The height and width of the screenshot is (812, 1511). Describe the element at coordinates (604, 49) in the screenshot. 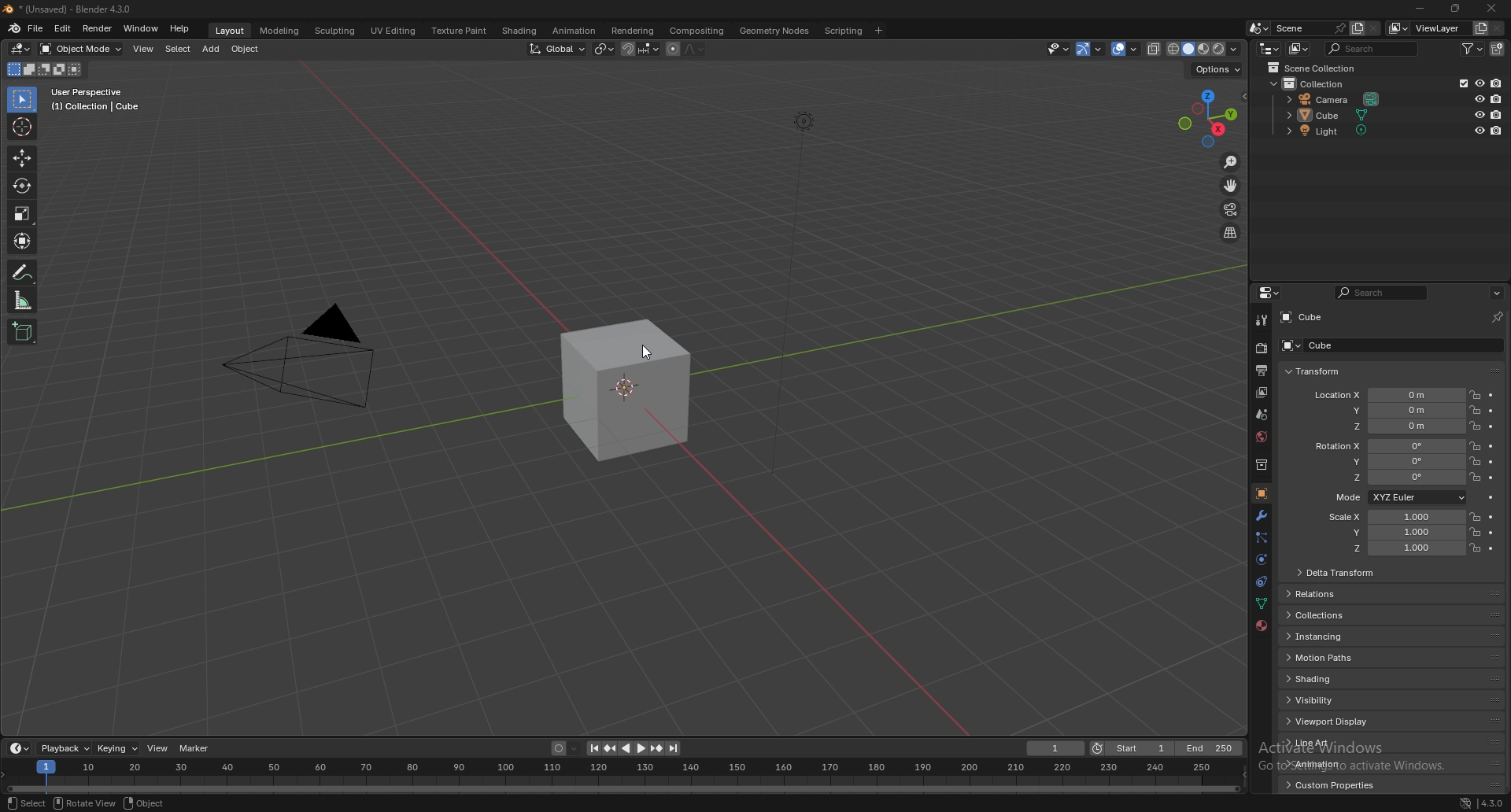

I see `transform pivot point` at that location.